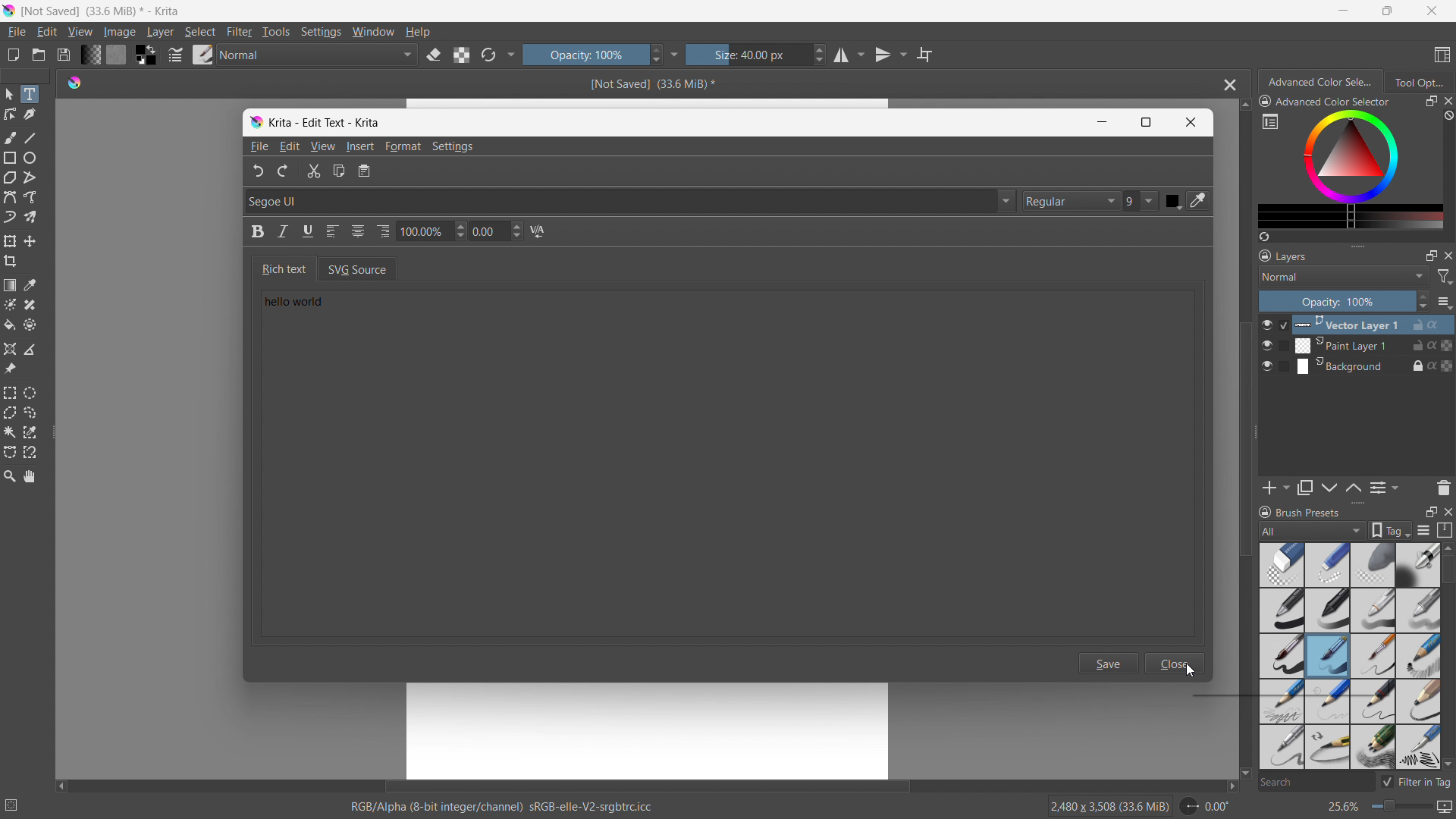 The height and width of the screenshot is (819, 1456). Describe the element at coordinates (1445, 277) in the screenshot. I see `filter` at that location.